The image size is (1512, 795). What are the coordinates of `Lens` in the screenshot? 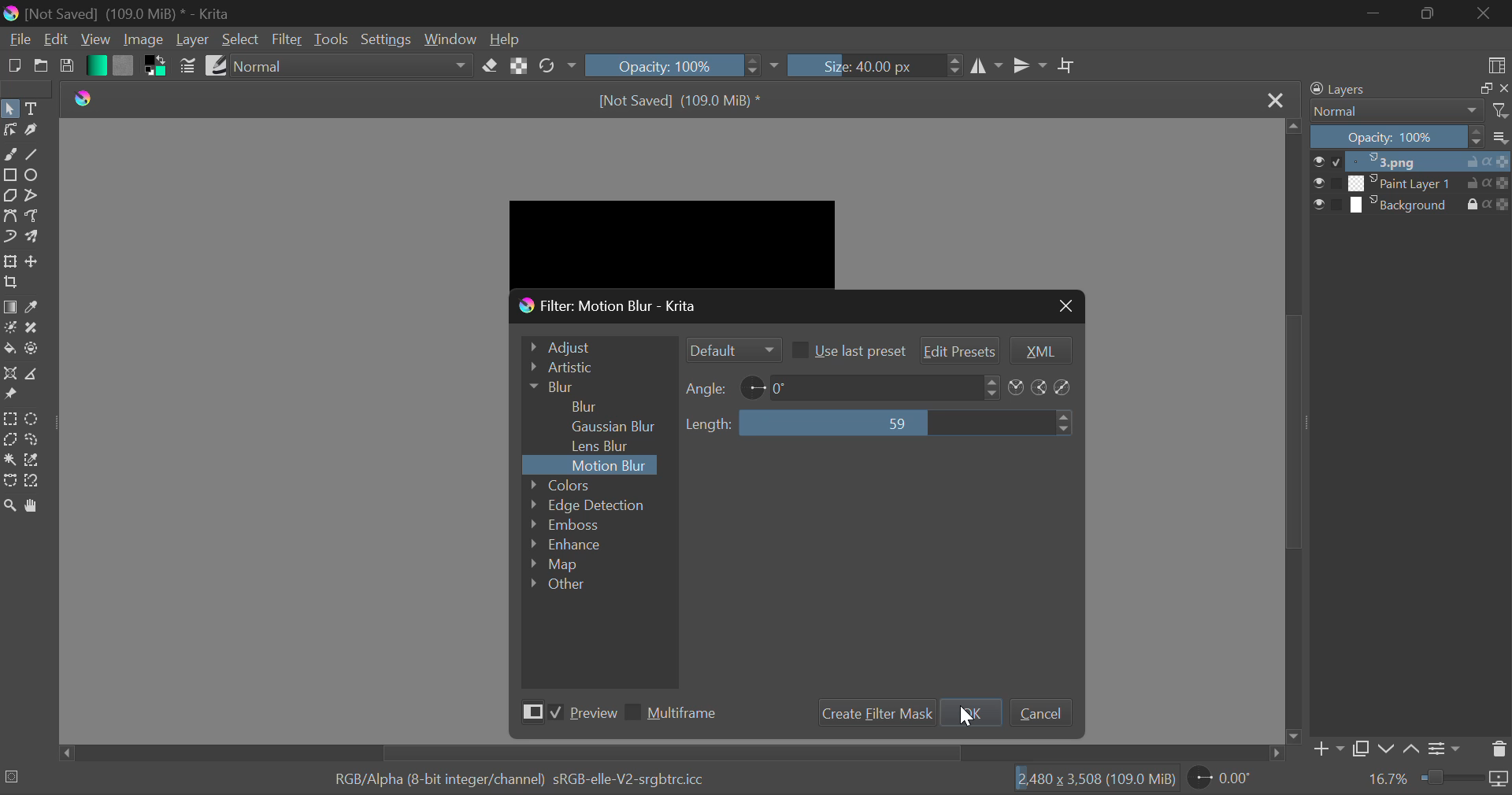 It's located at (606, 446).